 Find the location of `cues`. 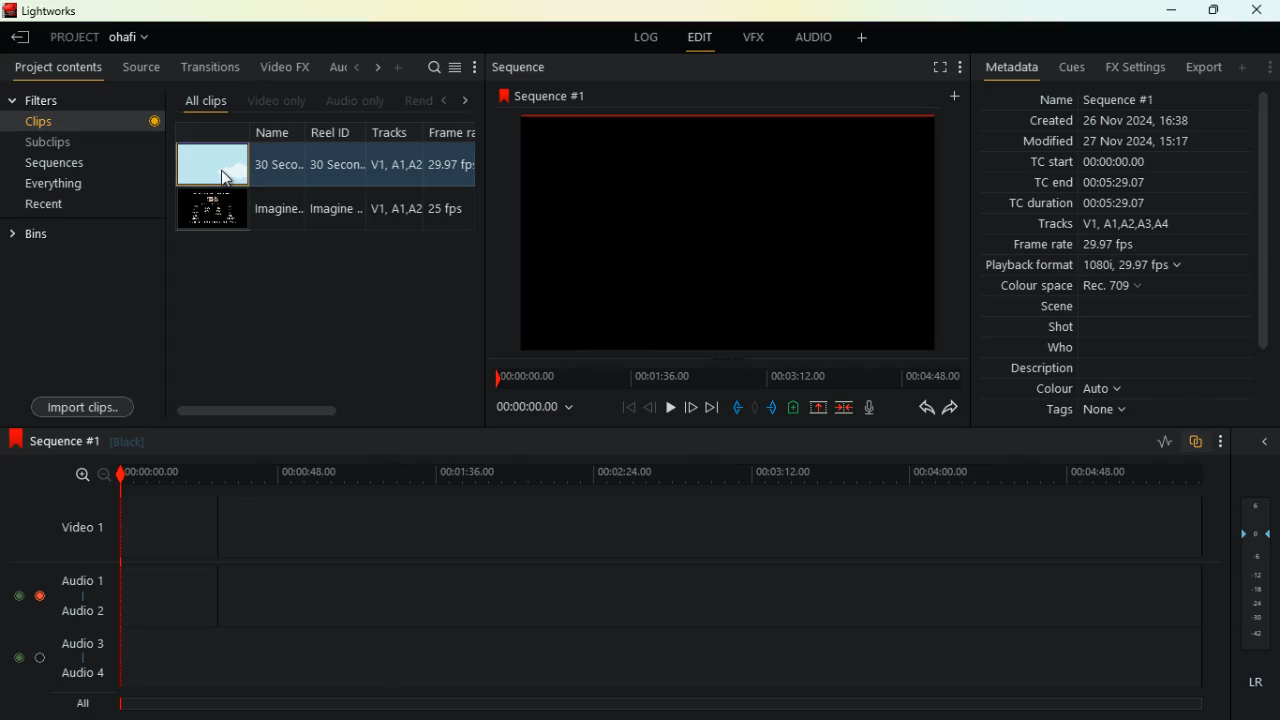

cues is located at coordinates (1074, 68).